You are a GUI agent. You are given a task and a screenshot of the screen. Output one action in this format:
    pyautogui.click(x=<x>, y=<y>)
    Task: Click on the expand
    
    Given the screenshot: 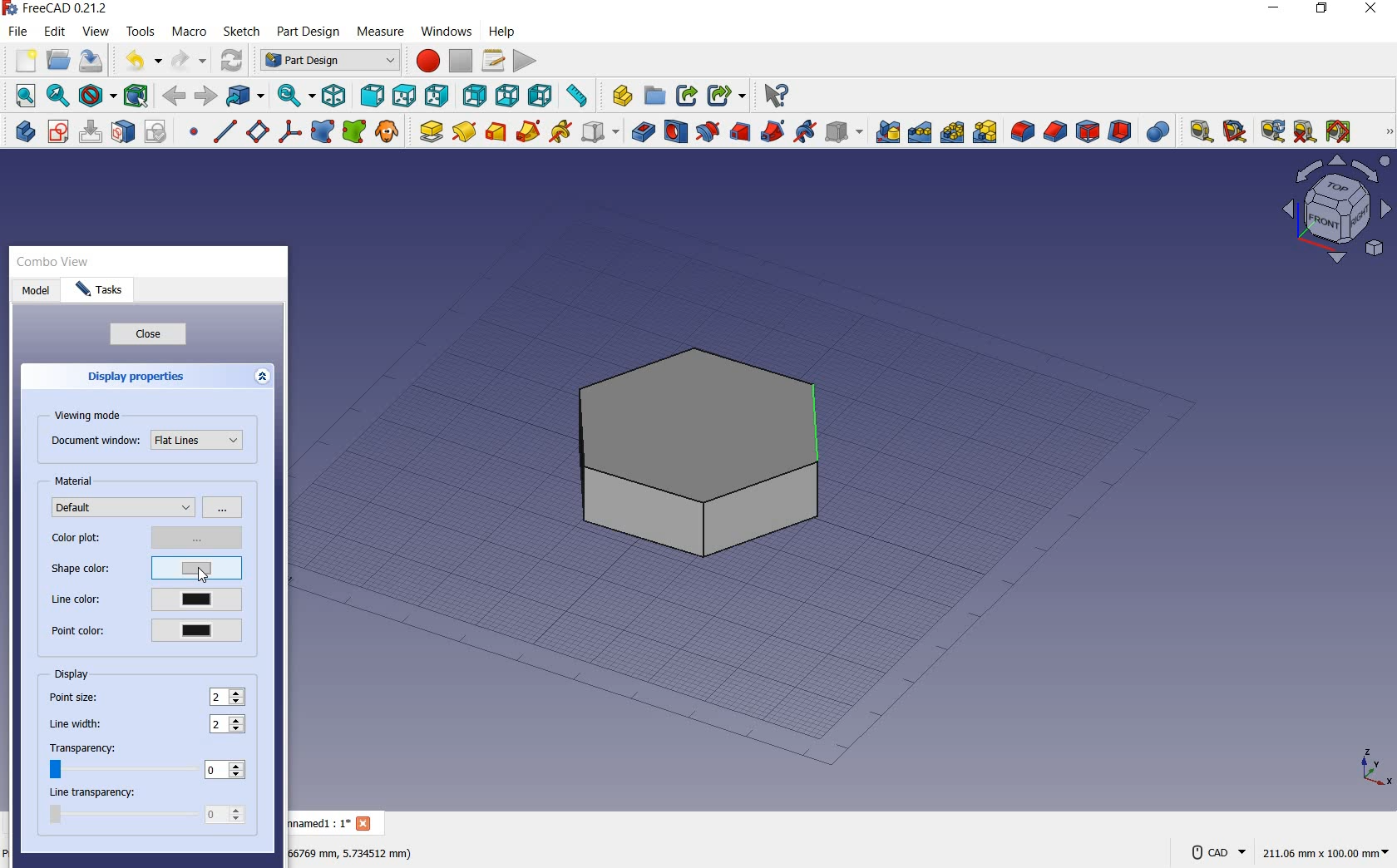 What is the action you would take?
    pyautogui.click(x=267, y=379)
    